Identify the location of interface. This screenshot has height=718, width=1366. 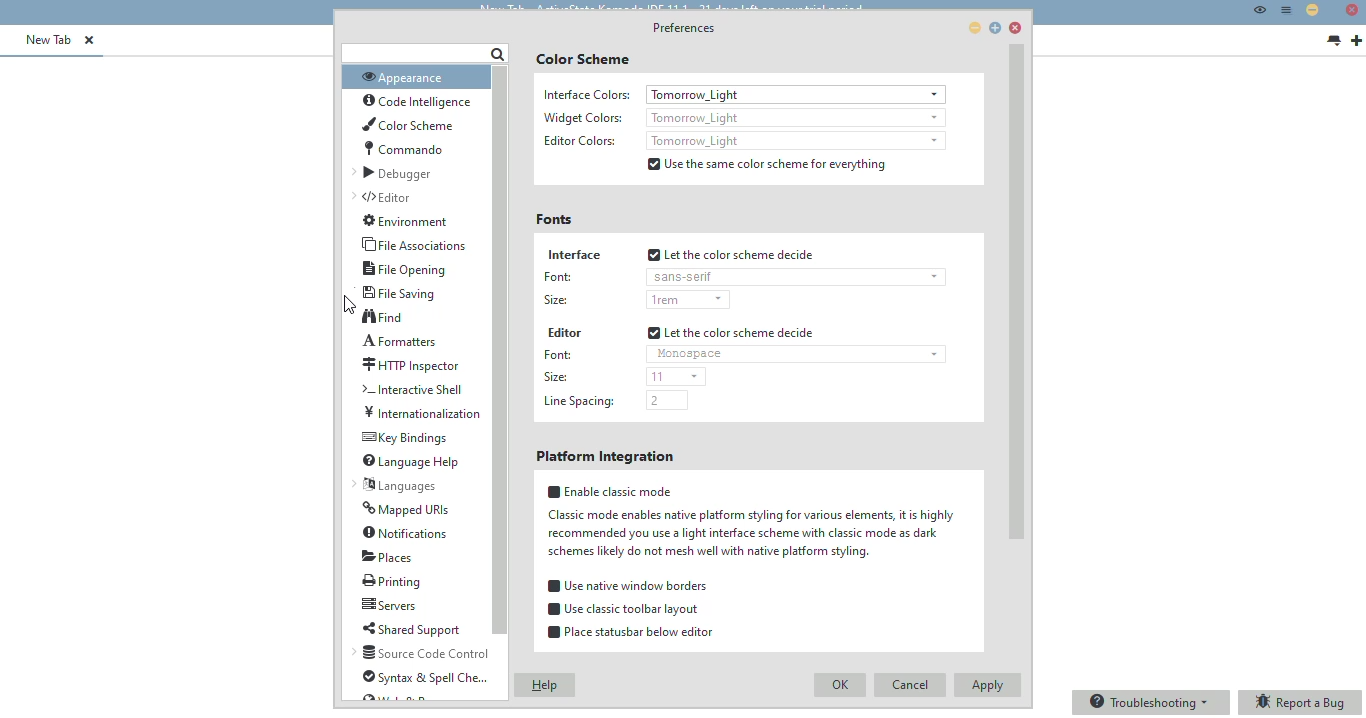
(573, 254).